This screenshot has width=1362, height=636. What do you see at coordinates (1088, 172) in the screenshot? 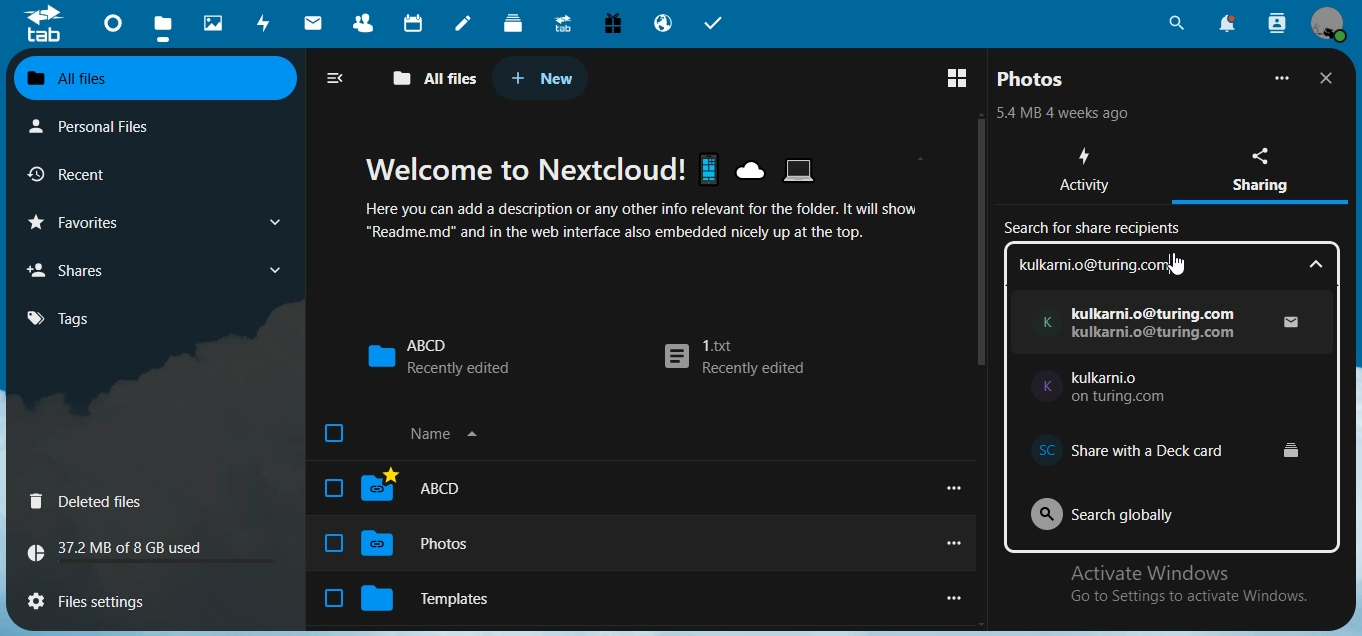
I see `activity` at bounding box center [1088, 172].